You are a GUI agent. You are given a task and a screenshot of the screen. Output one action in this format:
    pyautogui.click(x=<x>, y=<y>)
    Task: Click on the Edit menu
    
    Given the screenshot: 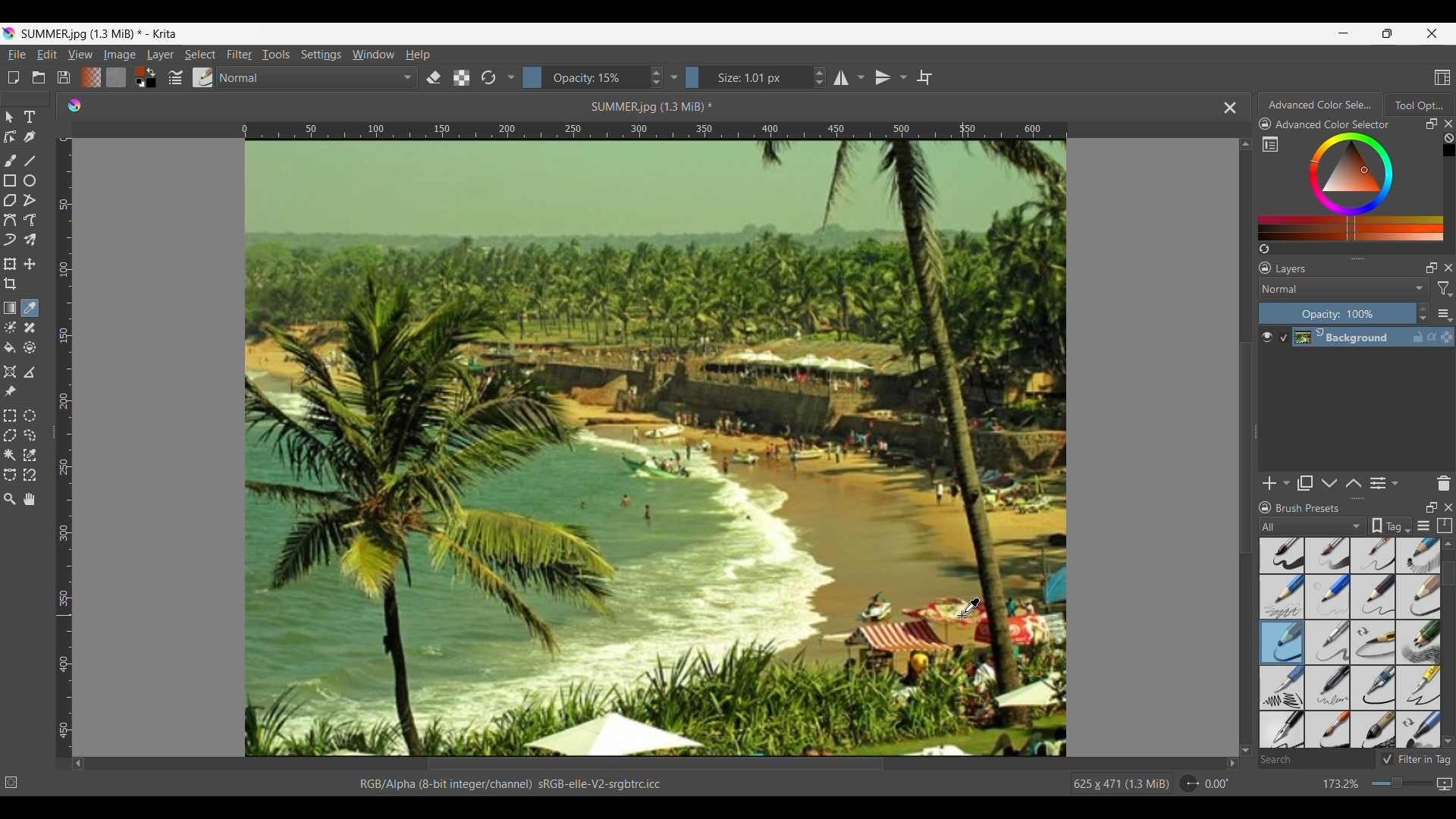 What is the action you would take?
    pyautogui.click(x=45, y=54)
    